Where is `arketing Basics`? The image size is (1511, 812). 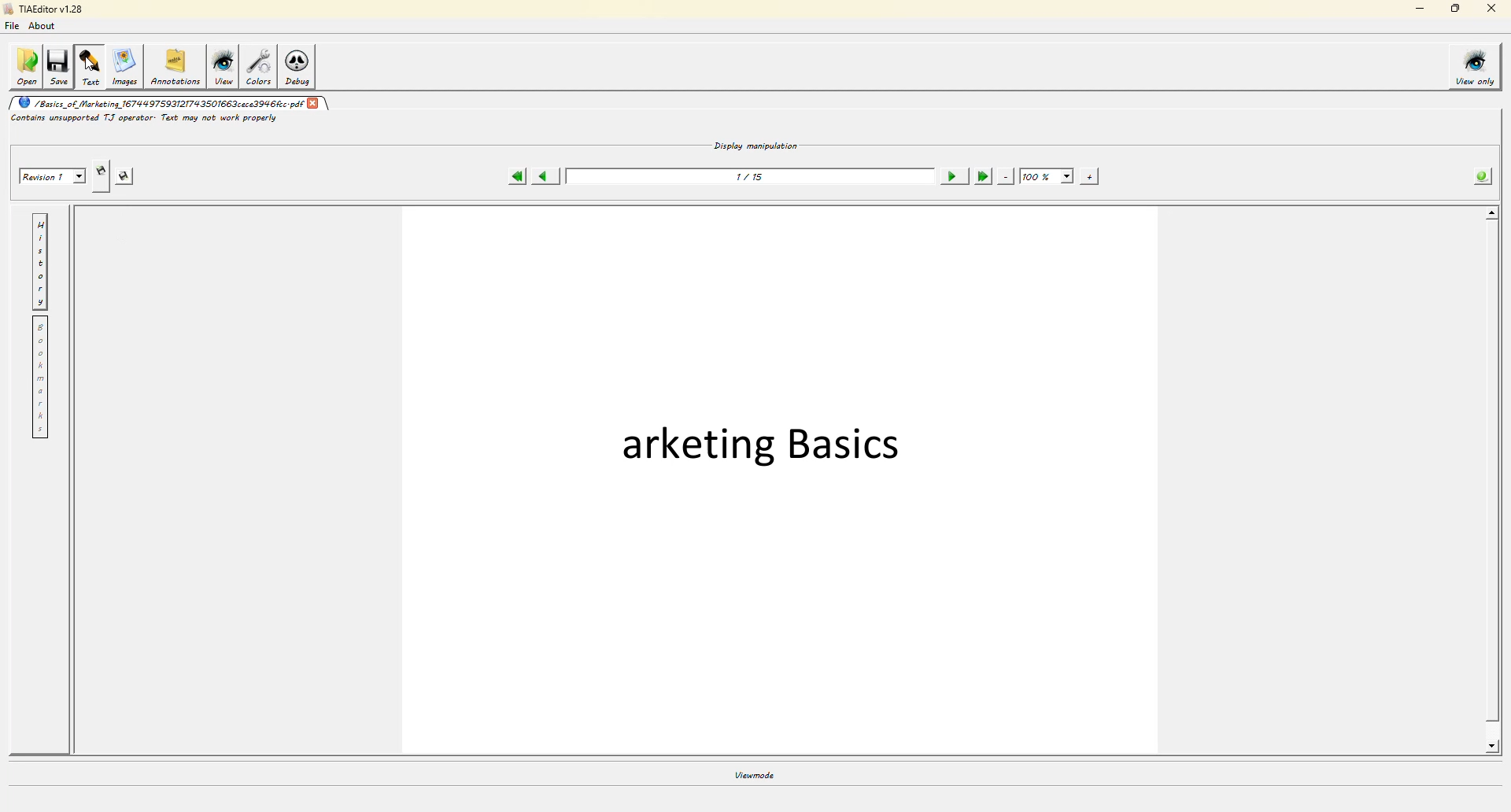
arketing Basics is located at coordinates (759, 443).